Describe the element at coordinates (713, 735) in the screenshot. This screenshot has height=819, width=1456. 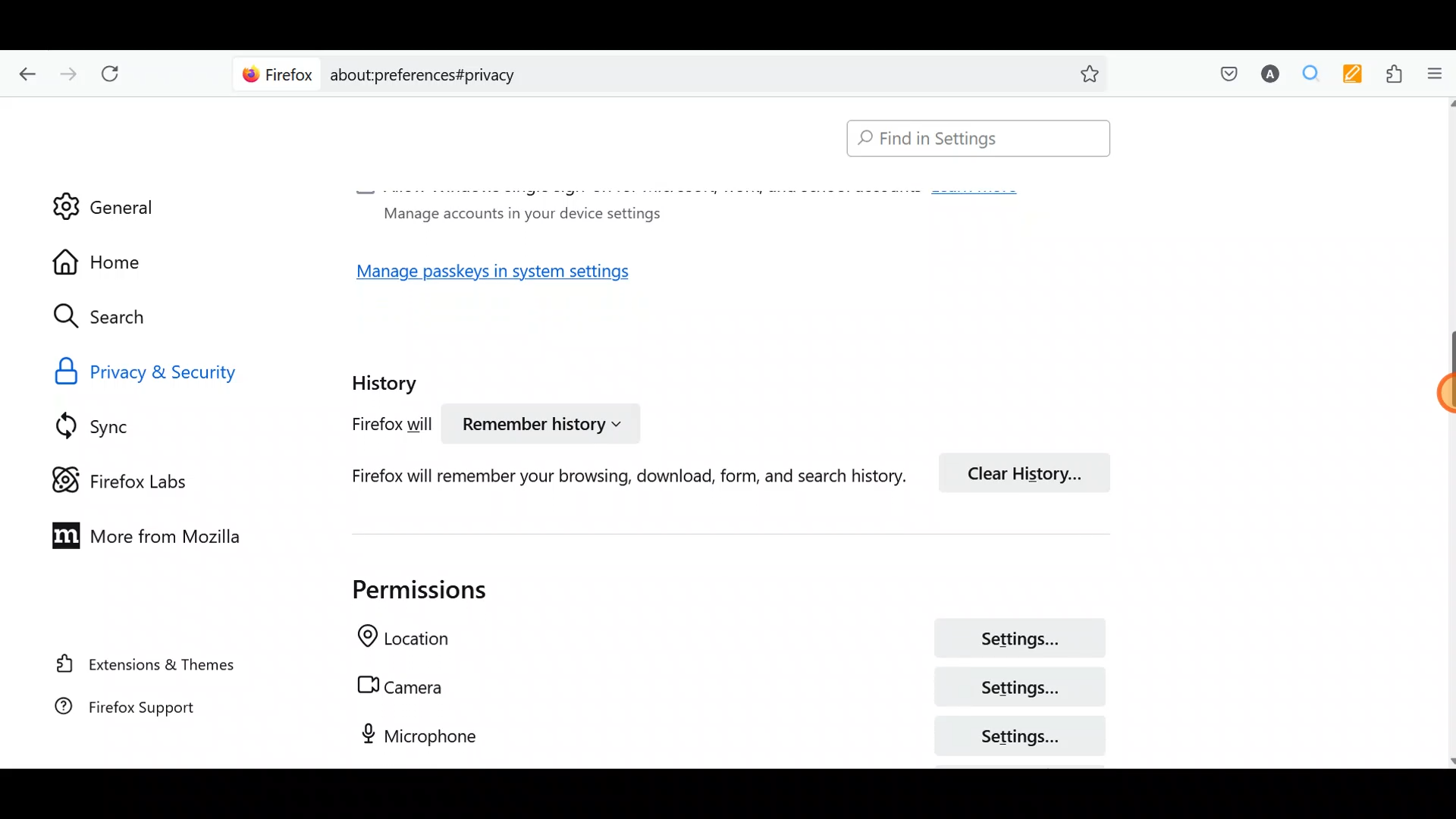
I see `Microphone settings` at that location.